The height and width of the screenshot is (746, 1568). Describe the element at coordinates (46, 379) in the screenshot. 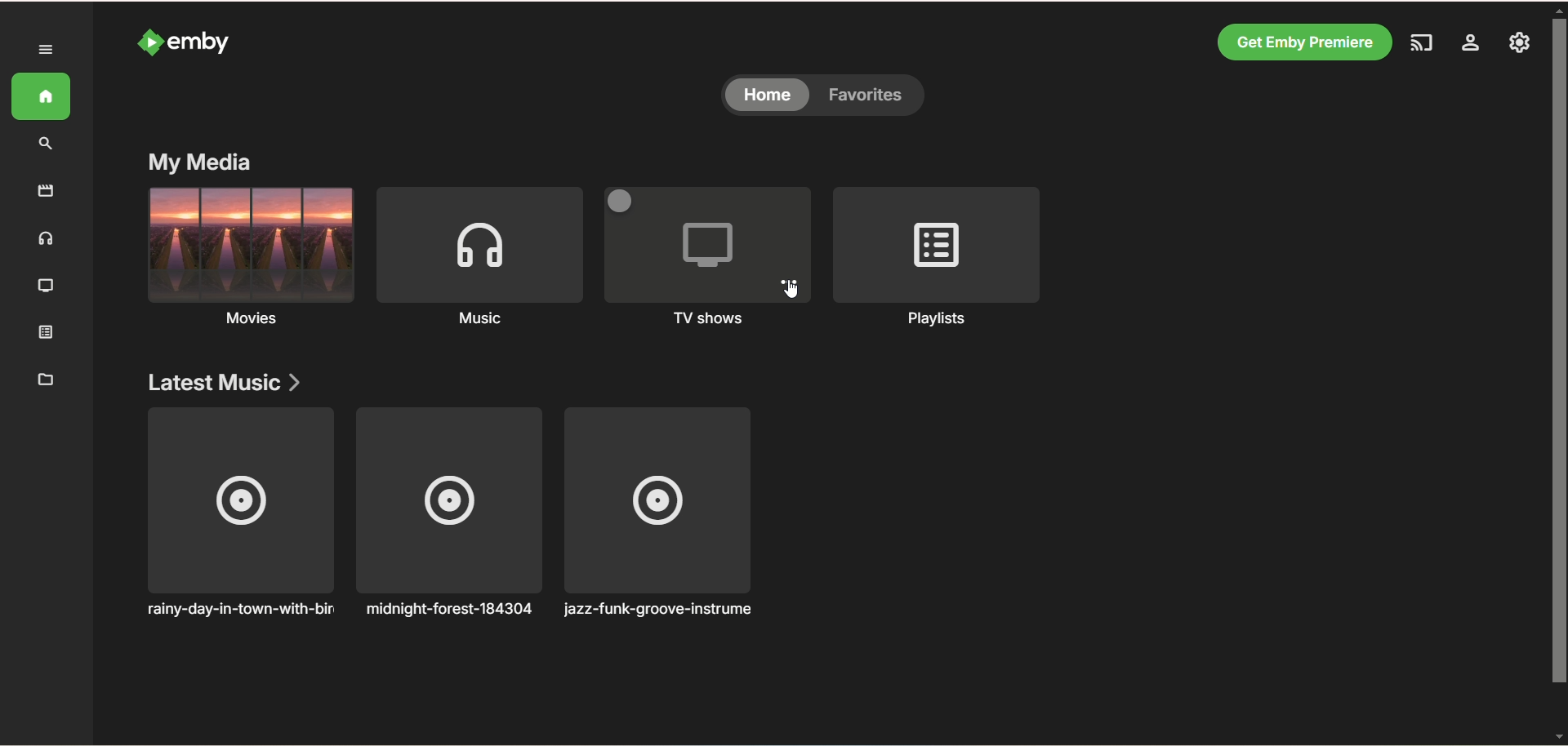

I see `manage metadata` at that location.